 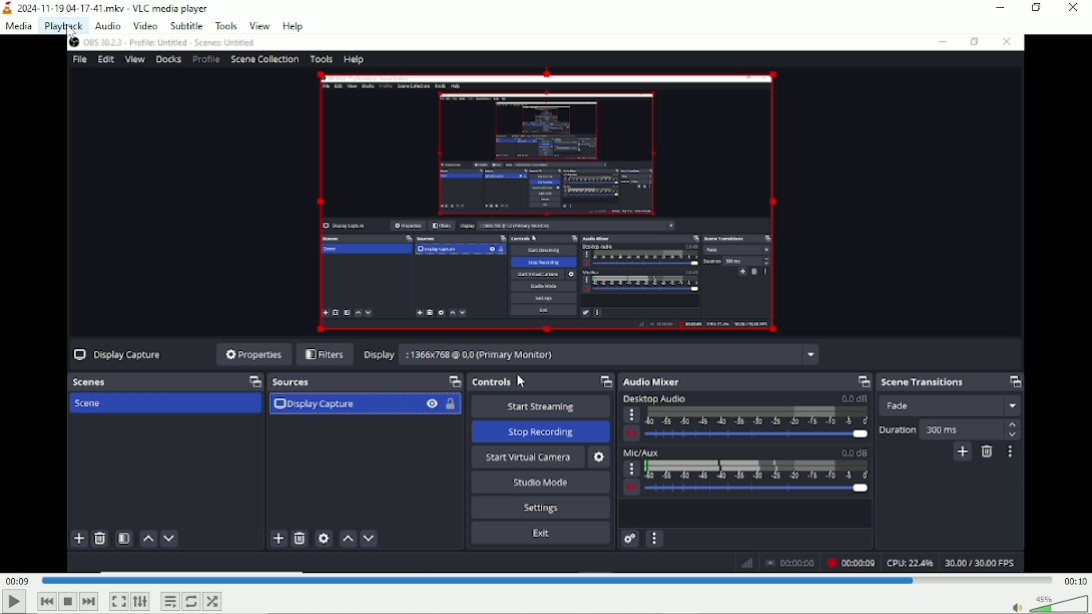 What do you see at coordinates (118, 601) in the screenshot?
I see `Toggle video in fullscreen` at bounding box center [118, 601].